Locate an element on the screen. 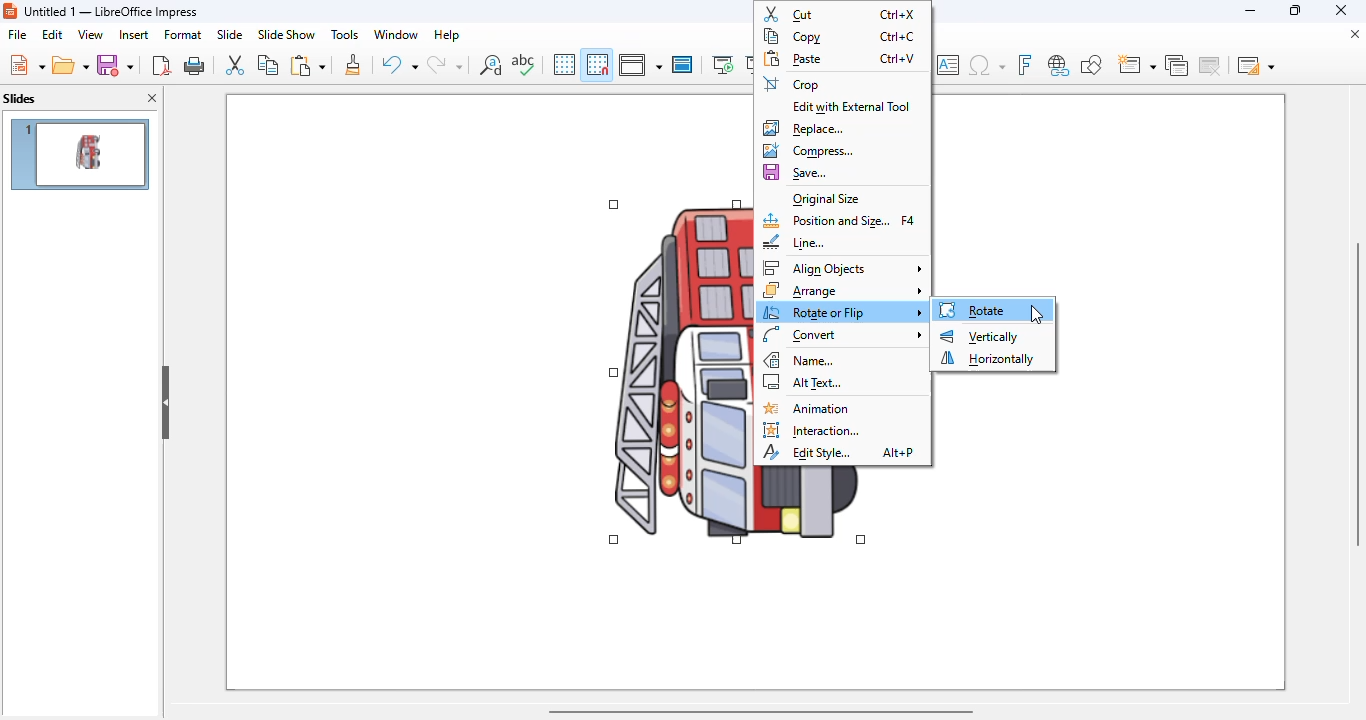  format is located at coordinates (183, 34).